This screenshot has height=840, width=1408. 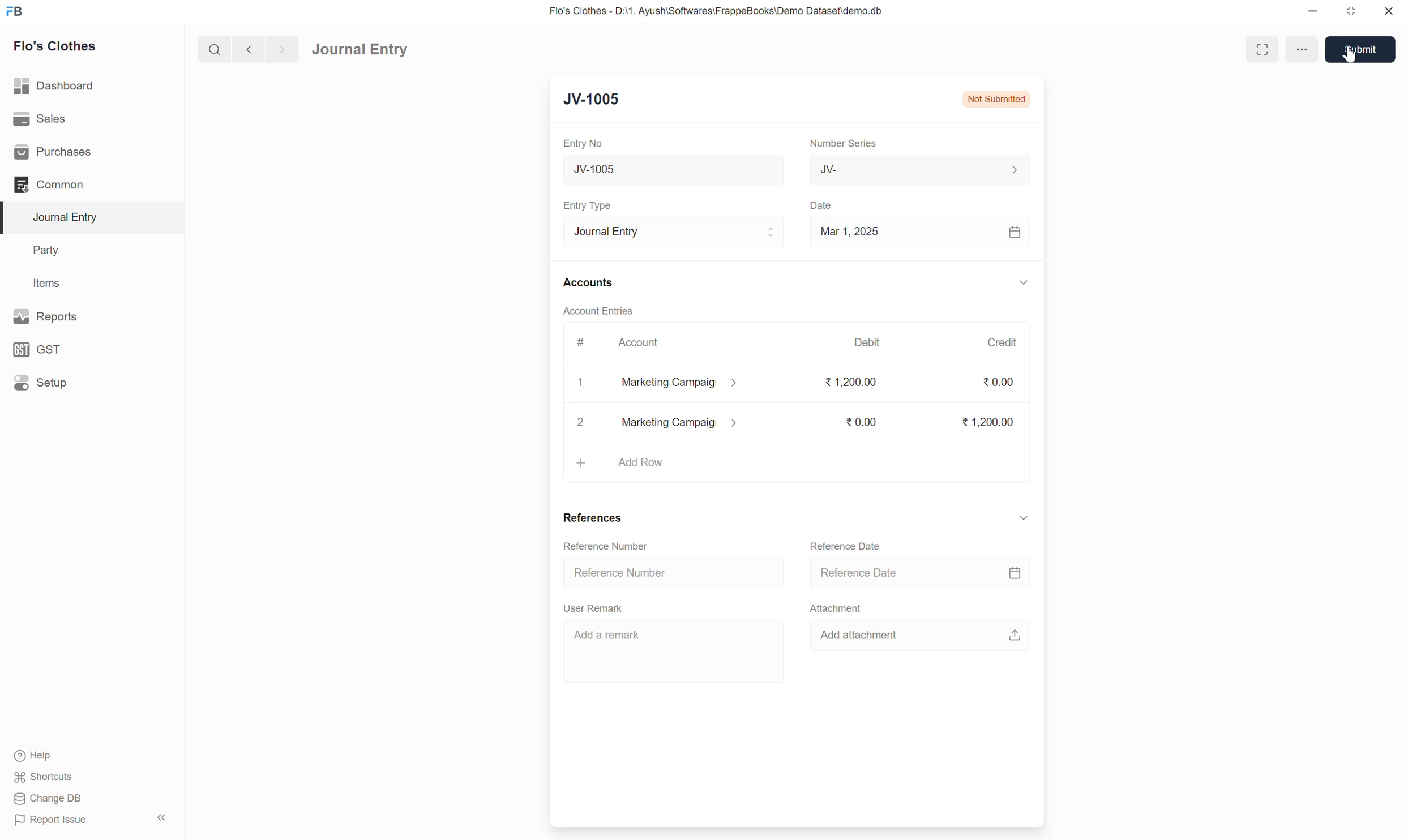 I want to click on FB, so click(x=15, y=11).